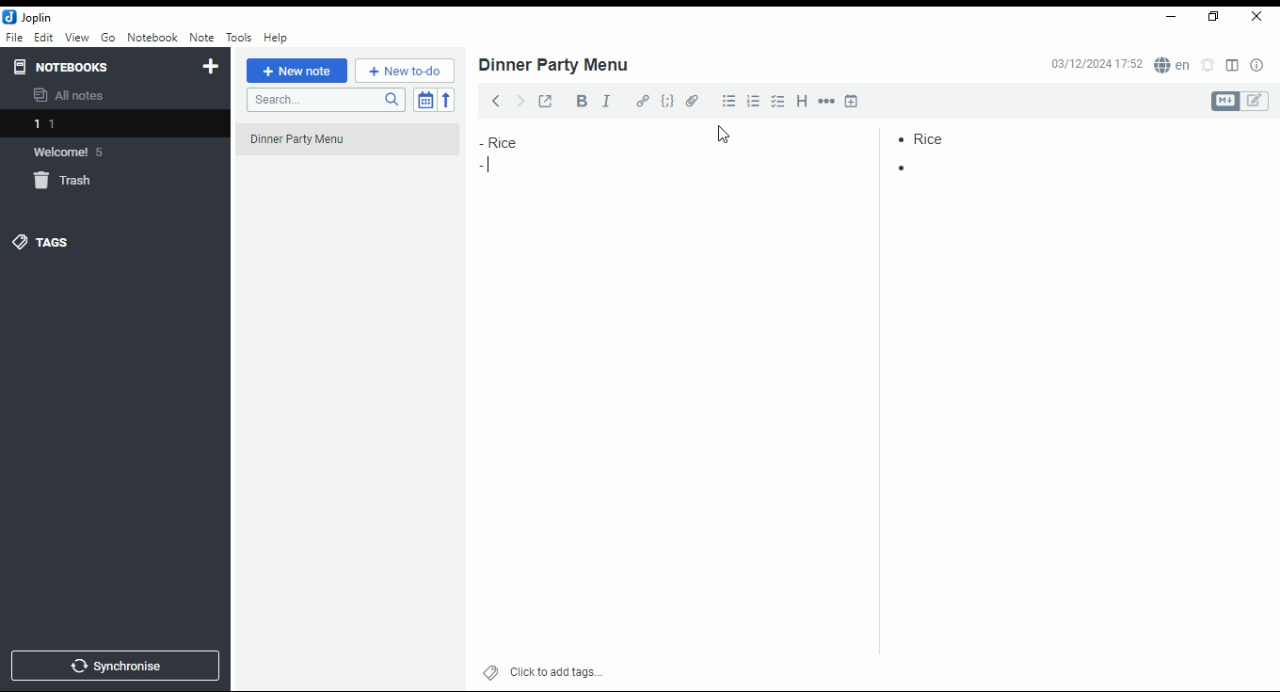 The width and height of the screenshot is (1280, 692). What do you see at coordinates (112, 125) in the screenshot?
I see `1` at bounding box center [112, 125].